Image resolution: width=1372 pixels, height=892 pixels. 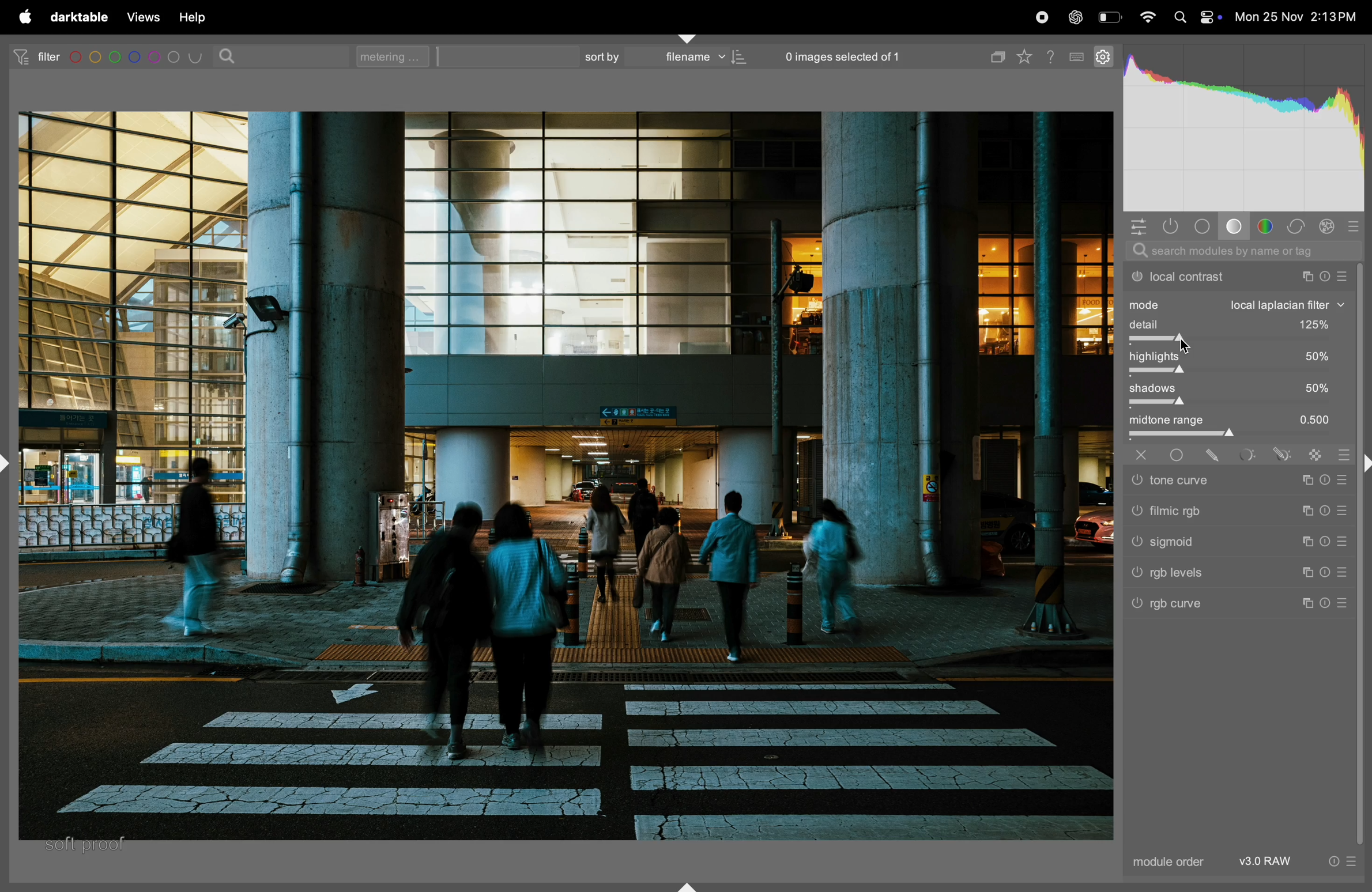 I want to click on highlights, so click(x=1237, y=357).